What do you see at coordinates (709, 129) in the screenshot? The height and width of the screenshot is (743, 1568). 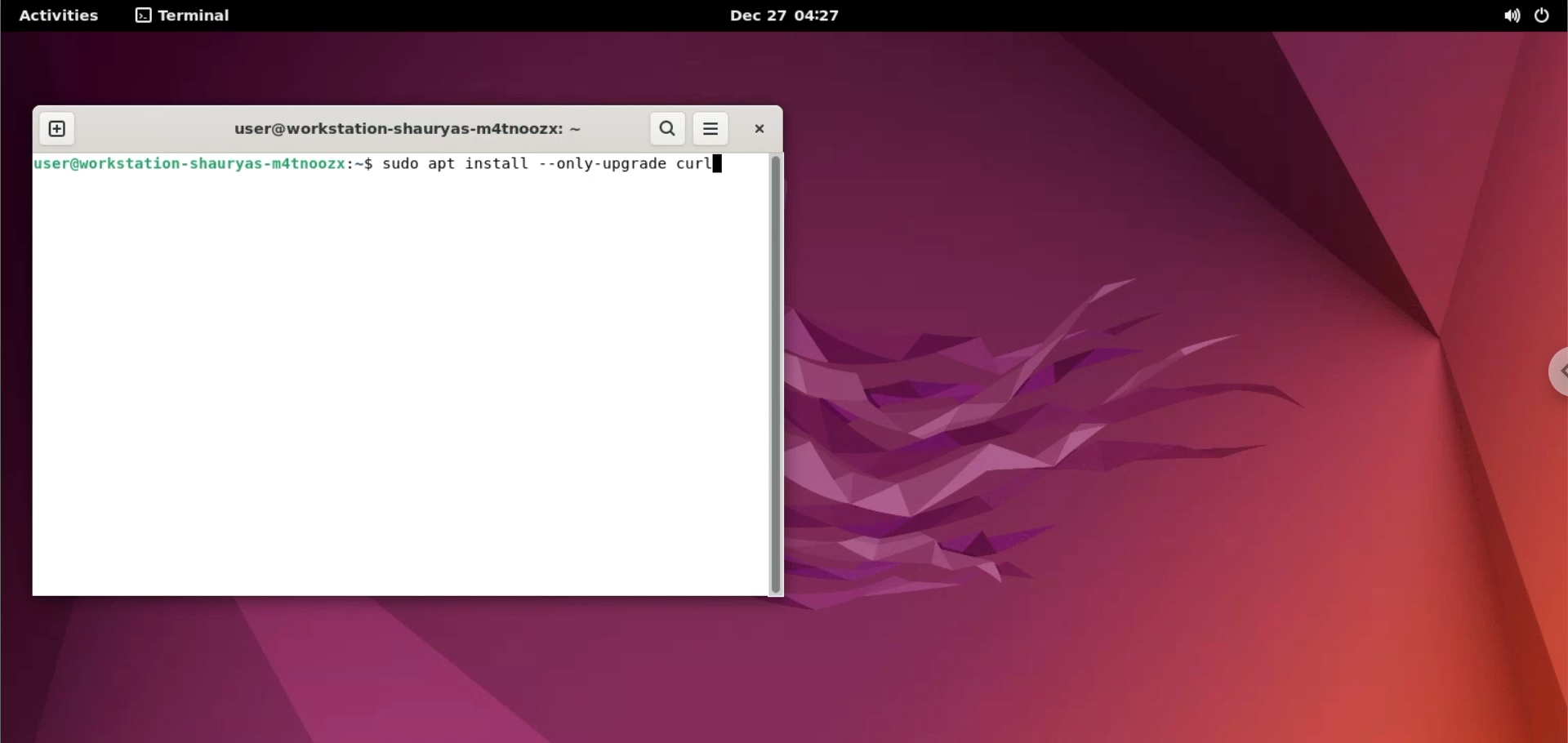 I see `more options` at bounding box center [709, 129].